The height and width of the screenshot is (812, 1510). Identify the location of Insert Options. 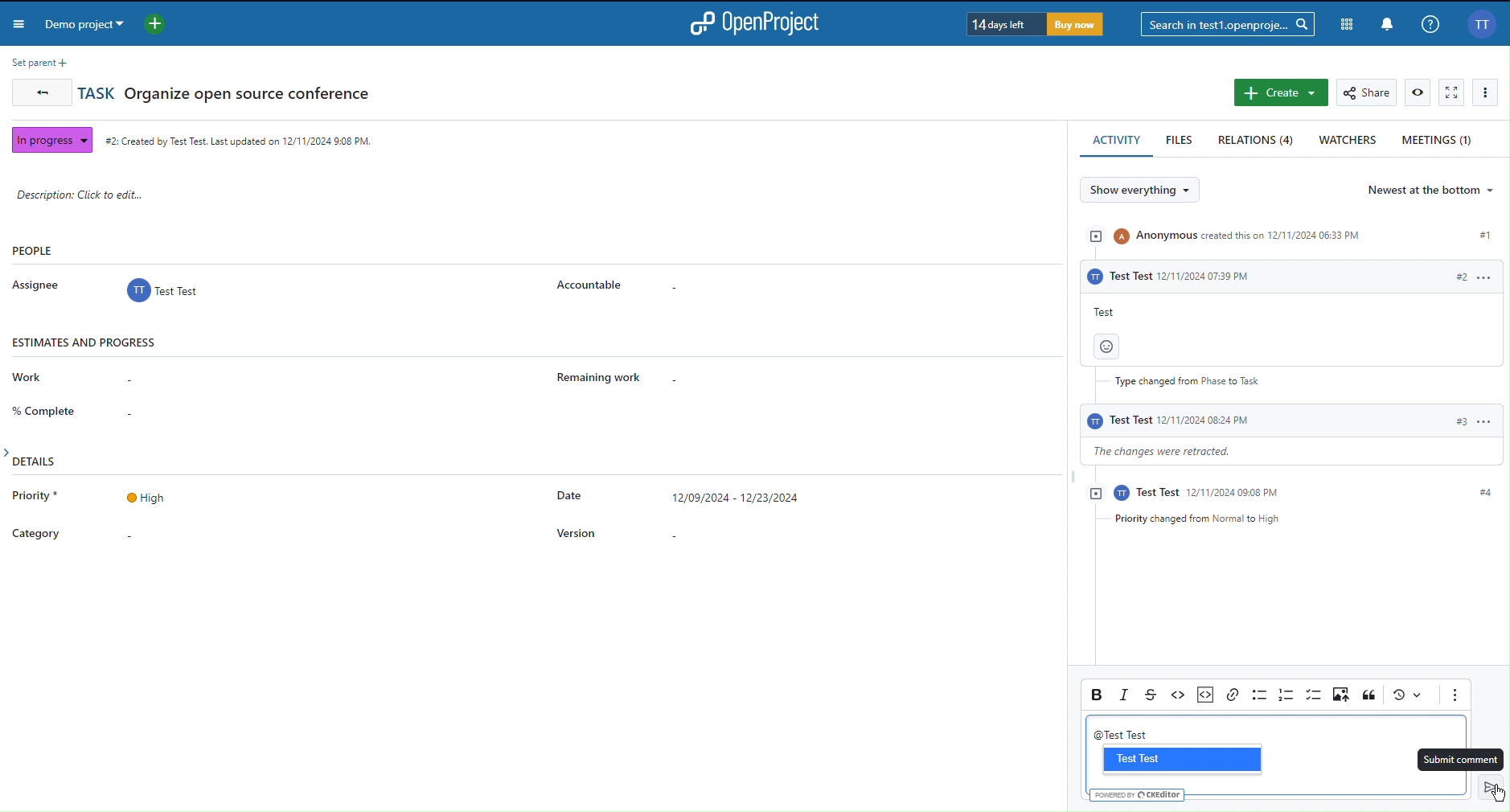
(1204, 693).